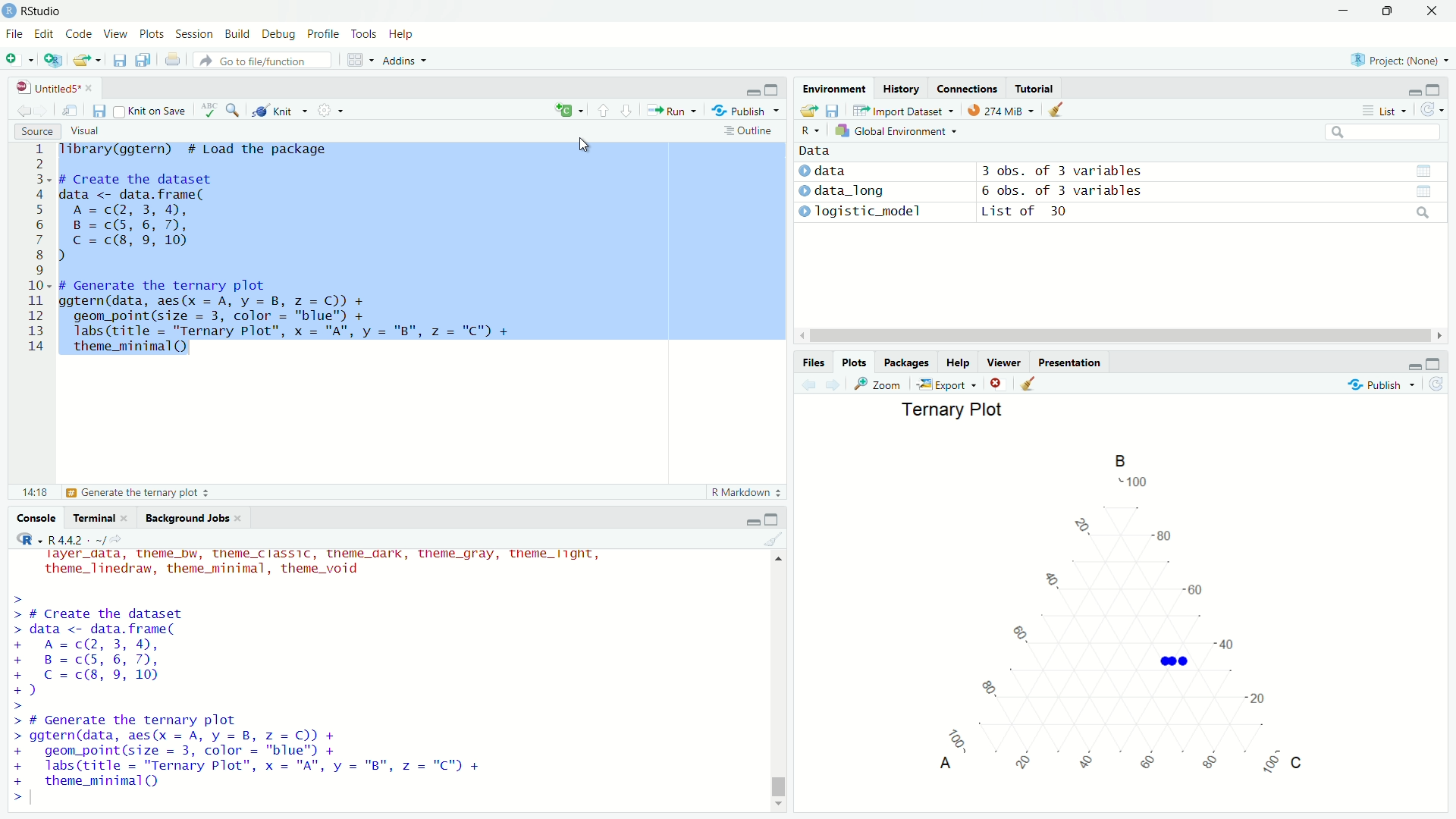 This screenshot has width=1456, height=819. I want to click on Help, so click(955, 363).